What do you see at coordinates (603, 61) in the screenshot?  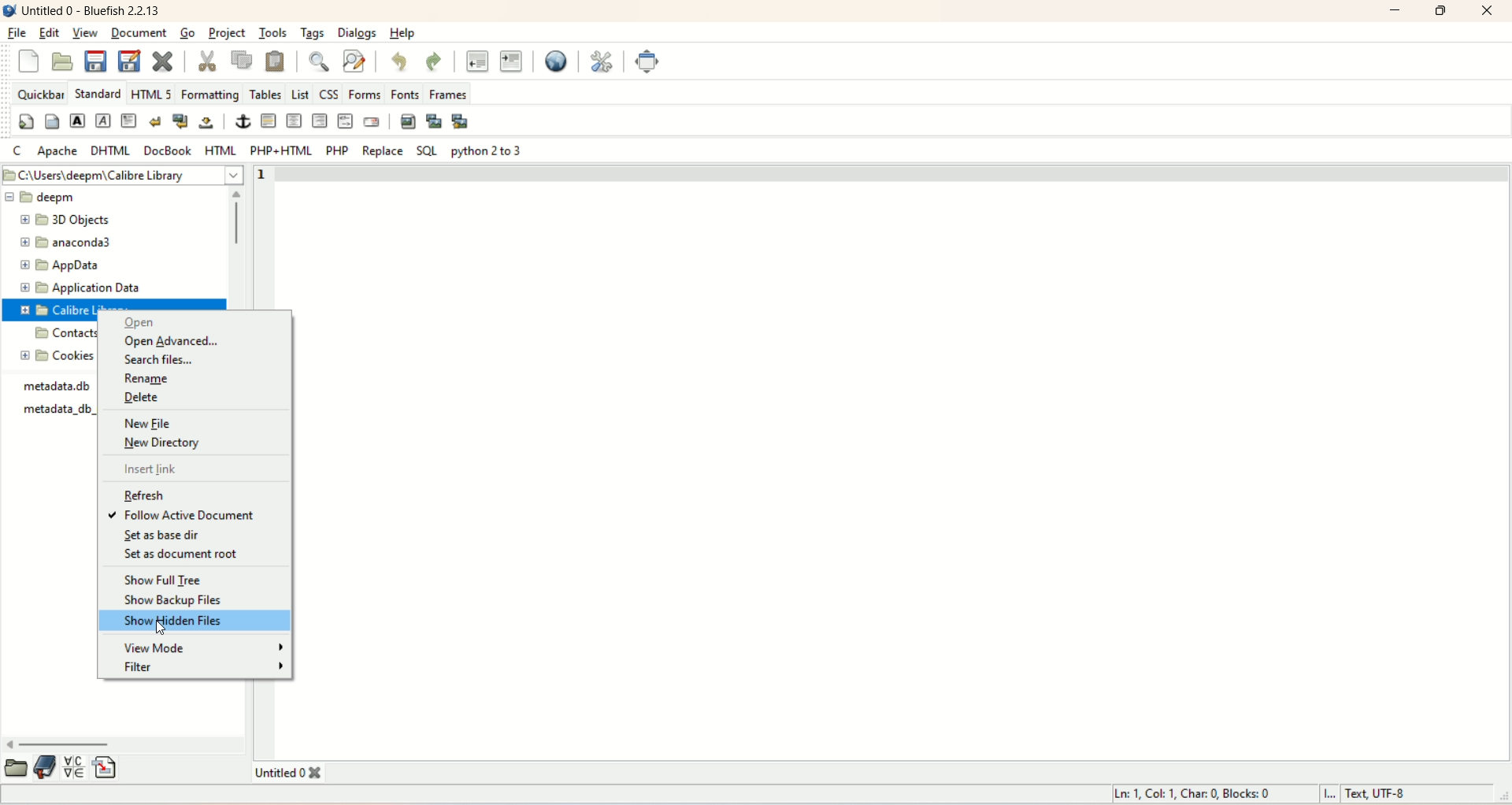 I see `edit preferences` at bounding box center [603, 61].